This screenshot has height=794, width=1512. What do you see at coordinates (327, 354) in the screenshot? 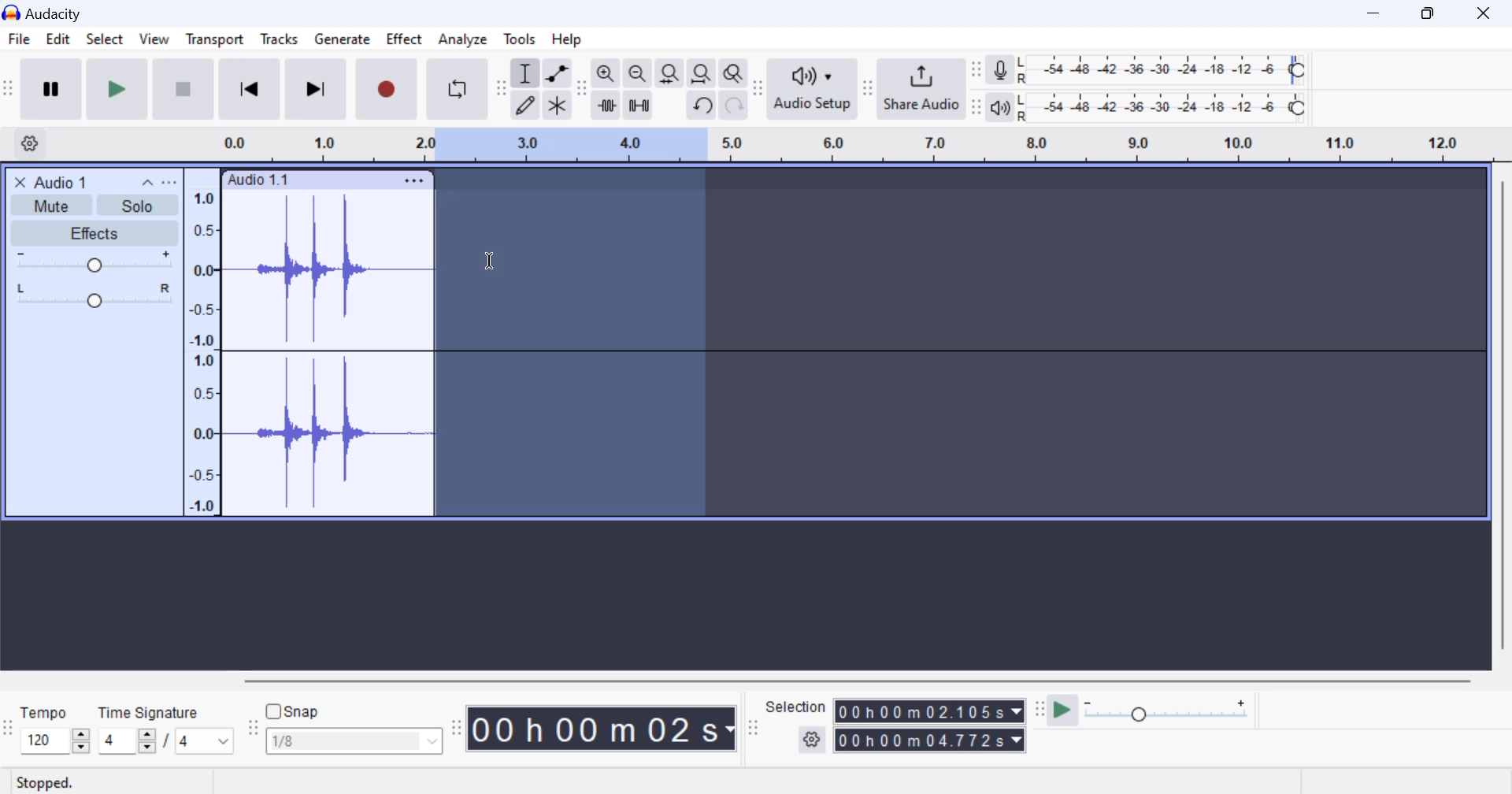
I see `Audio Clip` at bounding box center [327, 354].